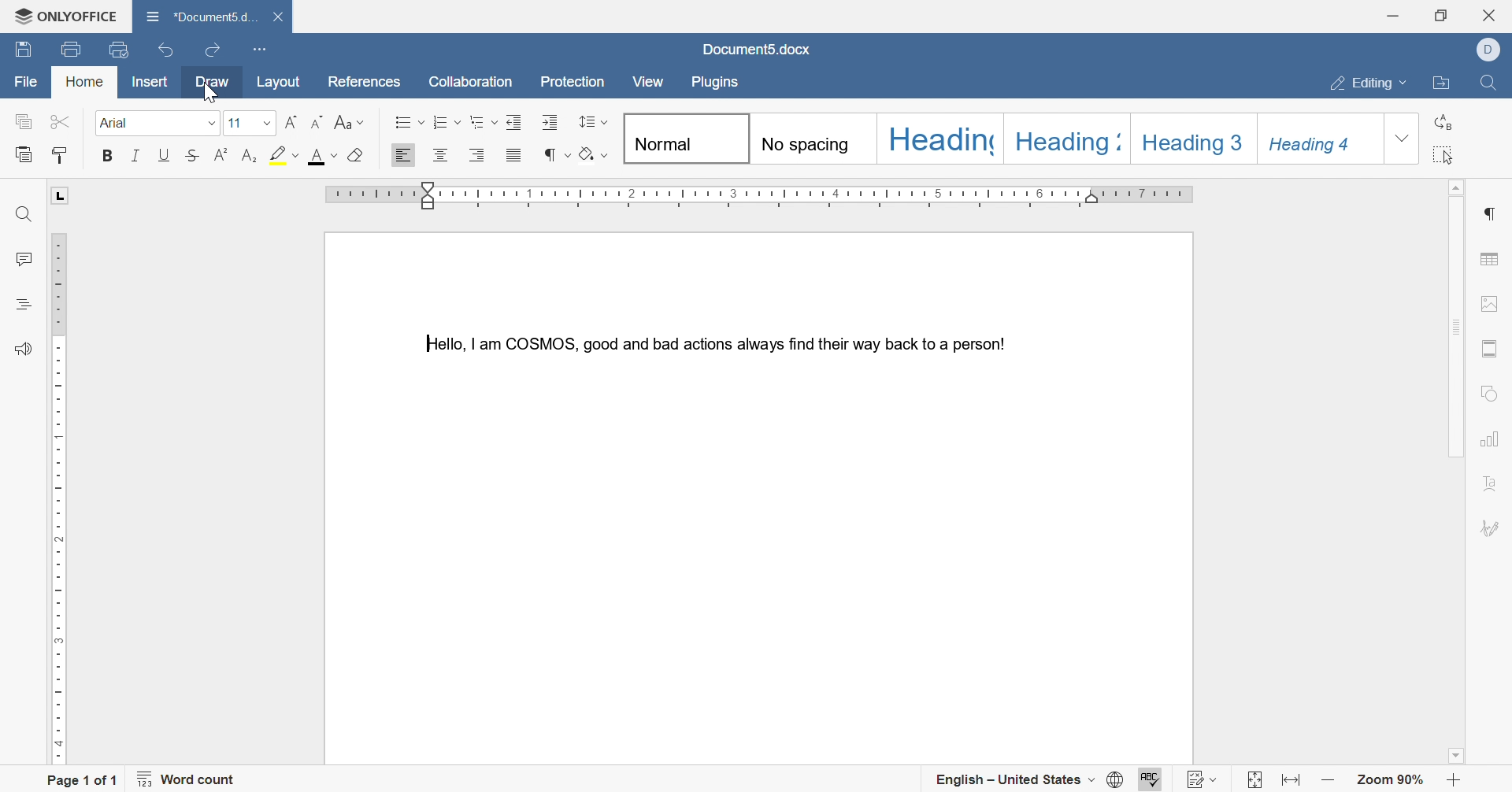 The height and width of the screenshot is (792, 1512). Describe the element at coordinates (109, 155) in the screenshot. I see `bold` at that location.